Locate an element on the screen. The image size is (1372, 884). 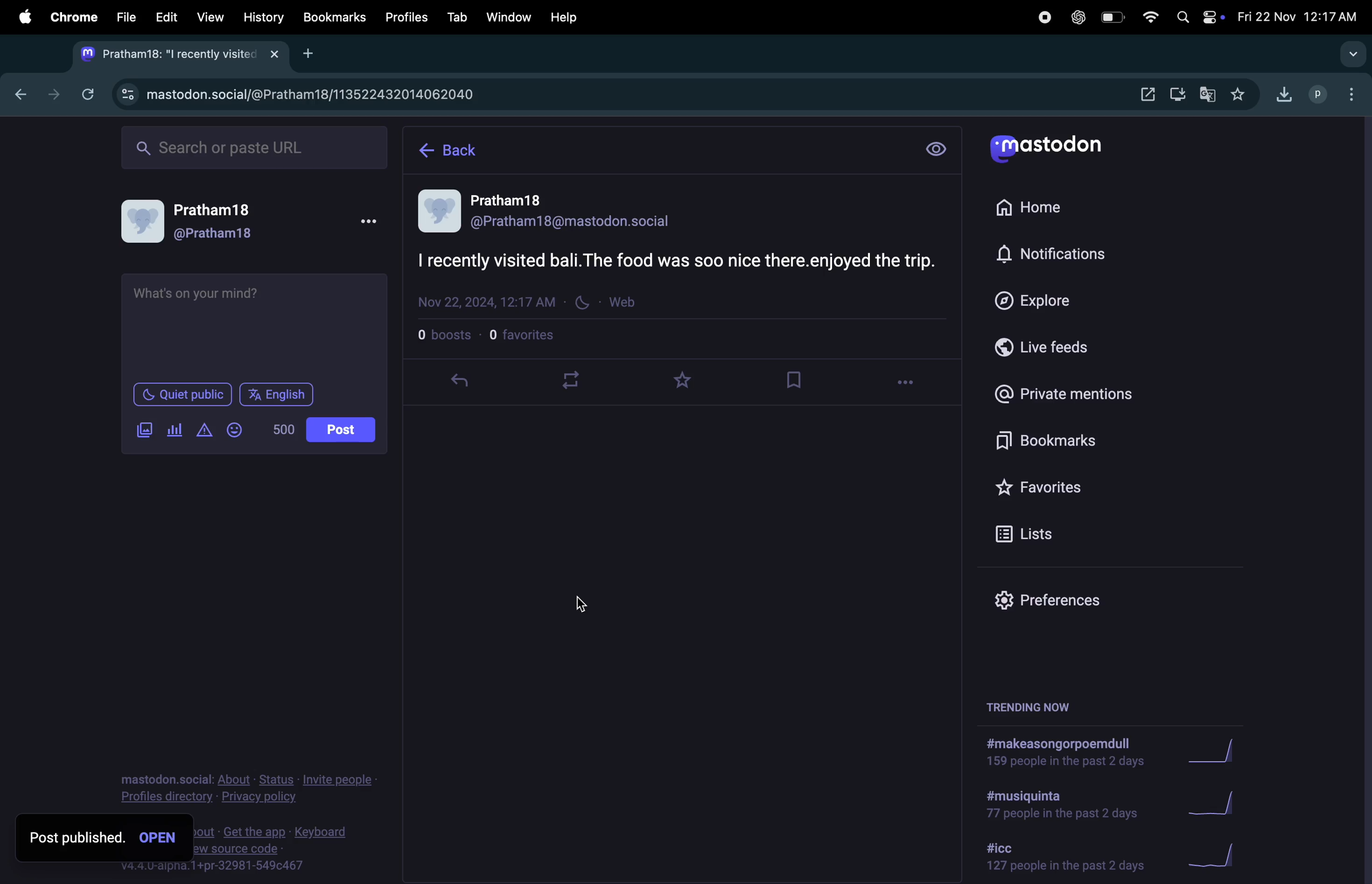
graph is located at coordinates (1205, 751).